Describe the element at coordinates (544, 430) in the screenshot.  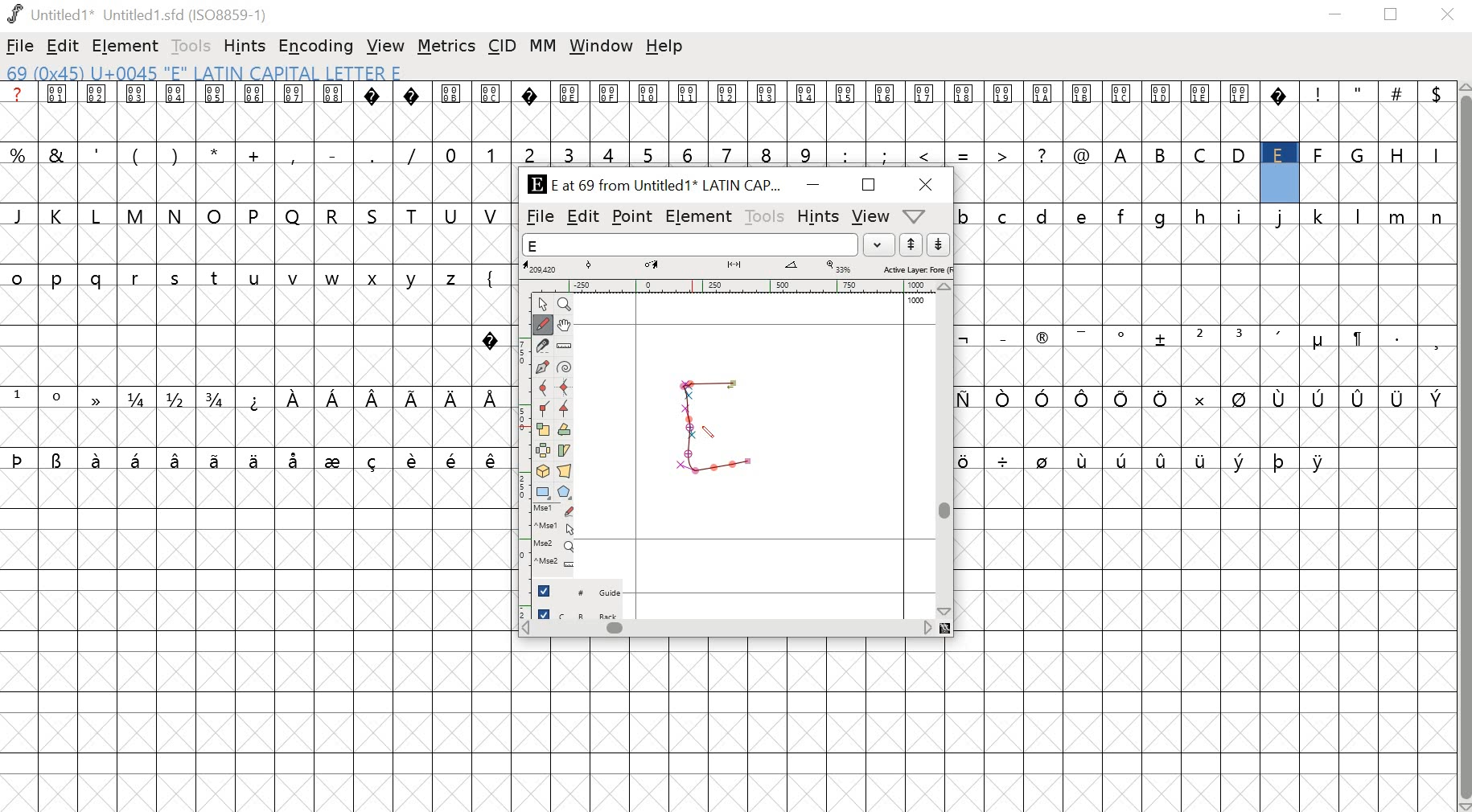
I see `Scale` at that location.